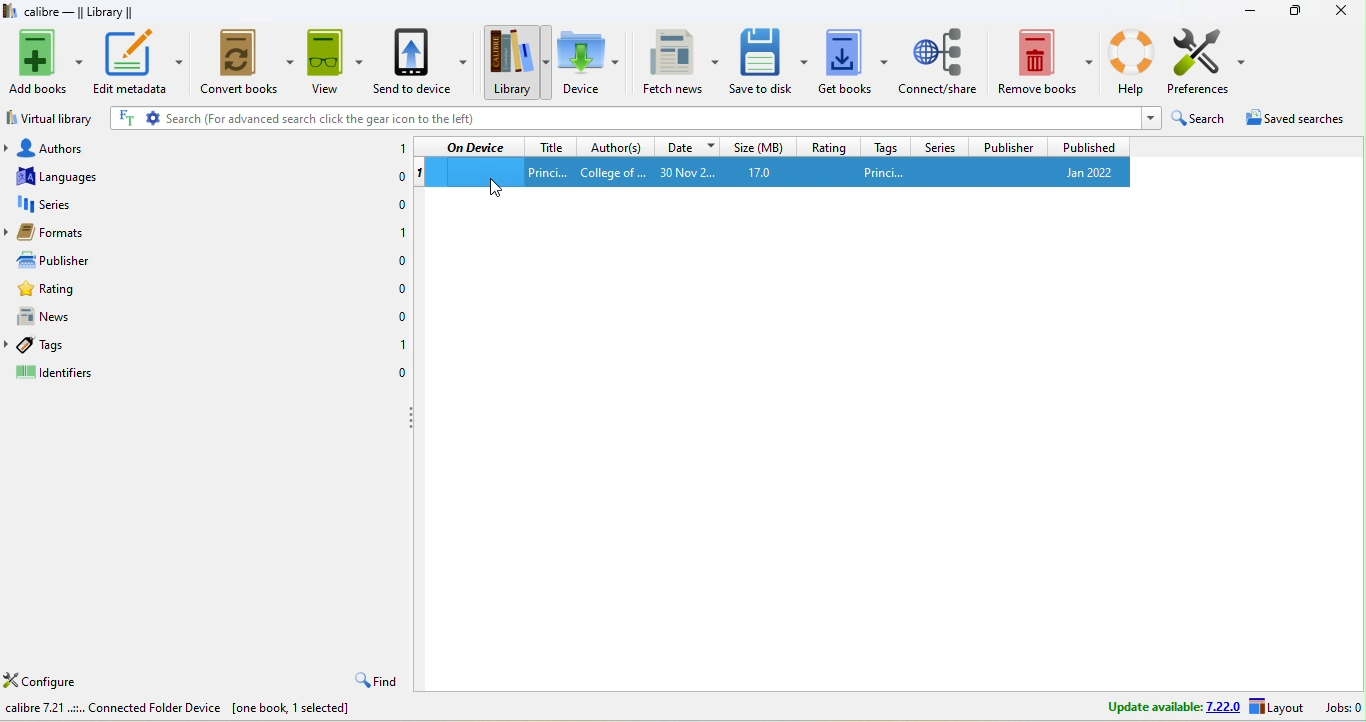  I want to click on jan 2022, so click(1082, 172).